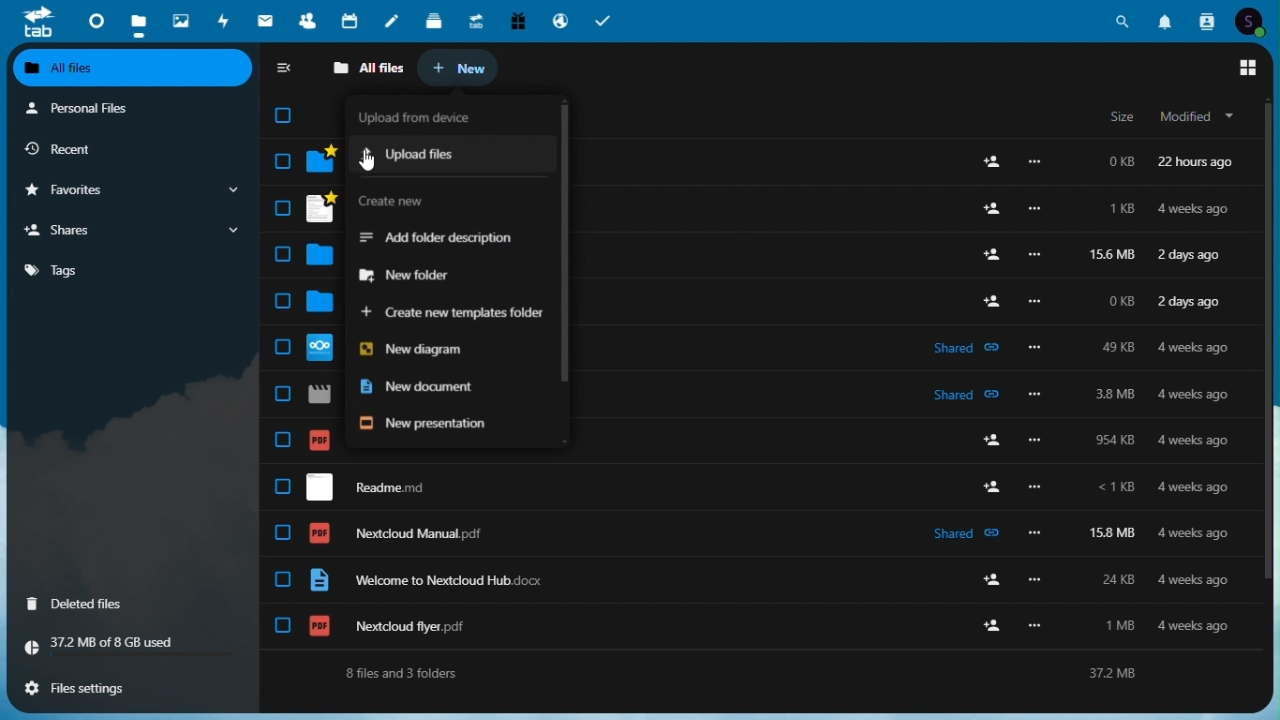  What do you see at coordinates (278, 439) in the screenshot?
I see `check box` at bounding box center [278, 439].